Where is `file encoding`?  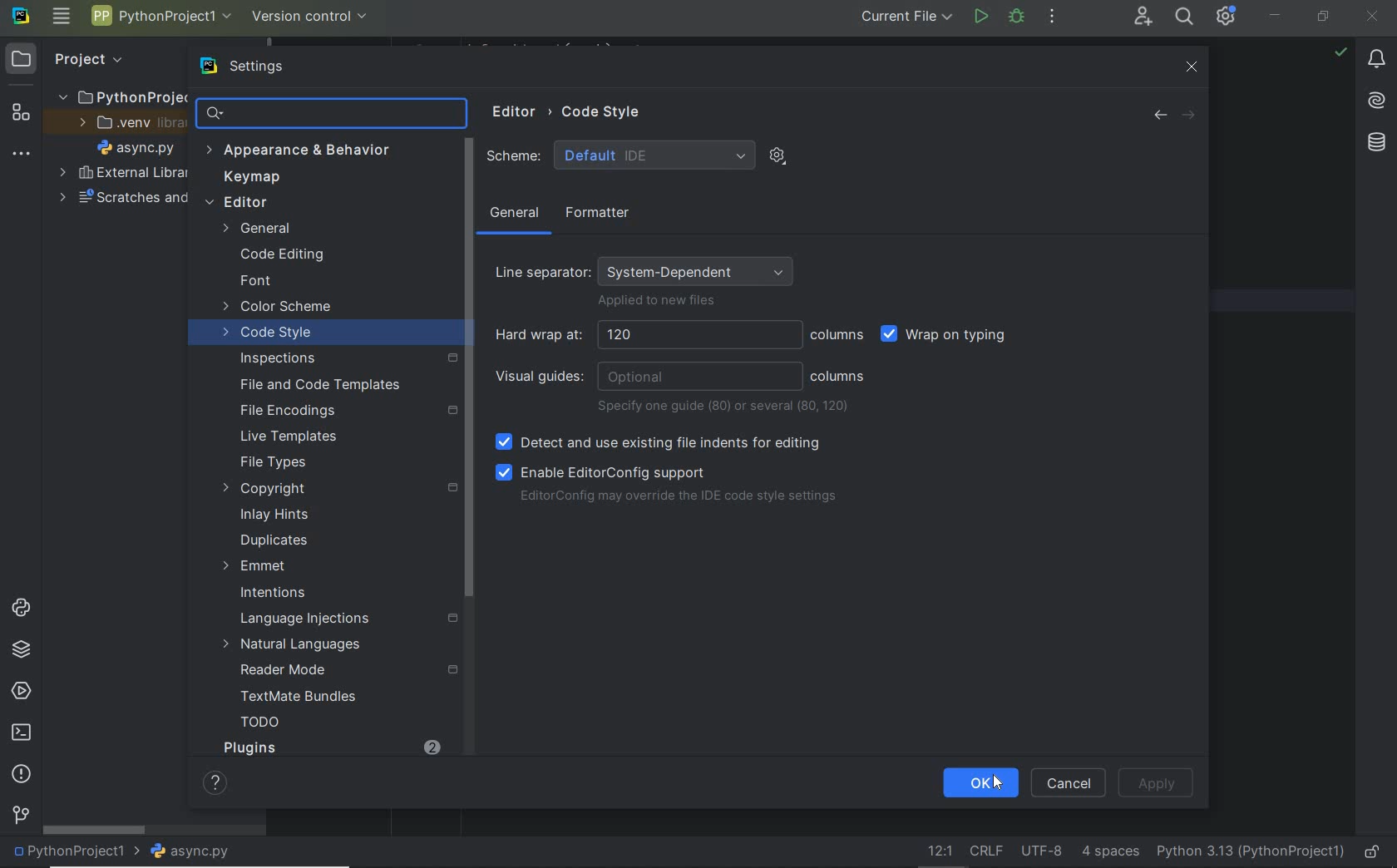 file encoding is located at coordinates (1042, 851).